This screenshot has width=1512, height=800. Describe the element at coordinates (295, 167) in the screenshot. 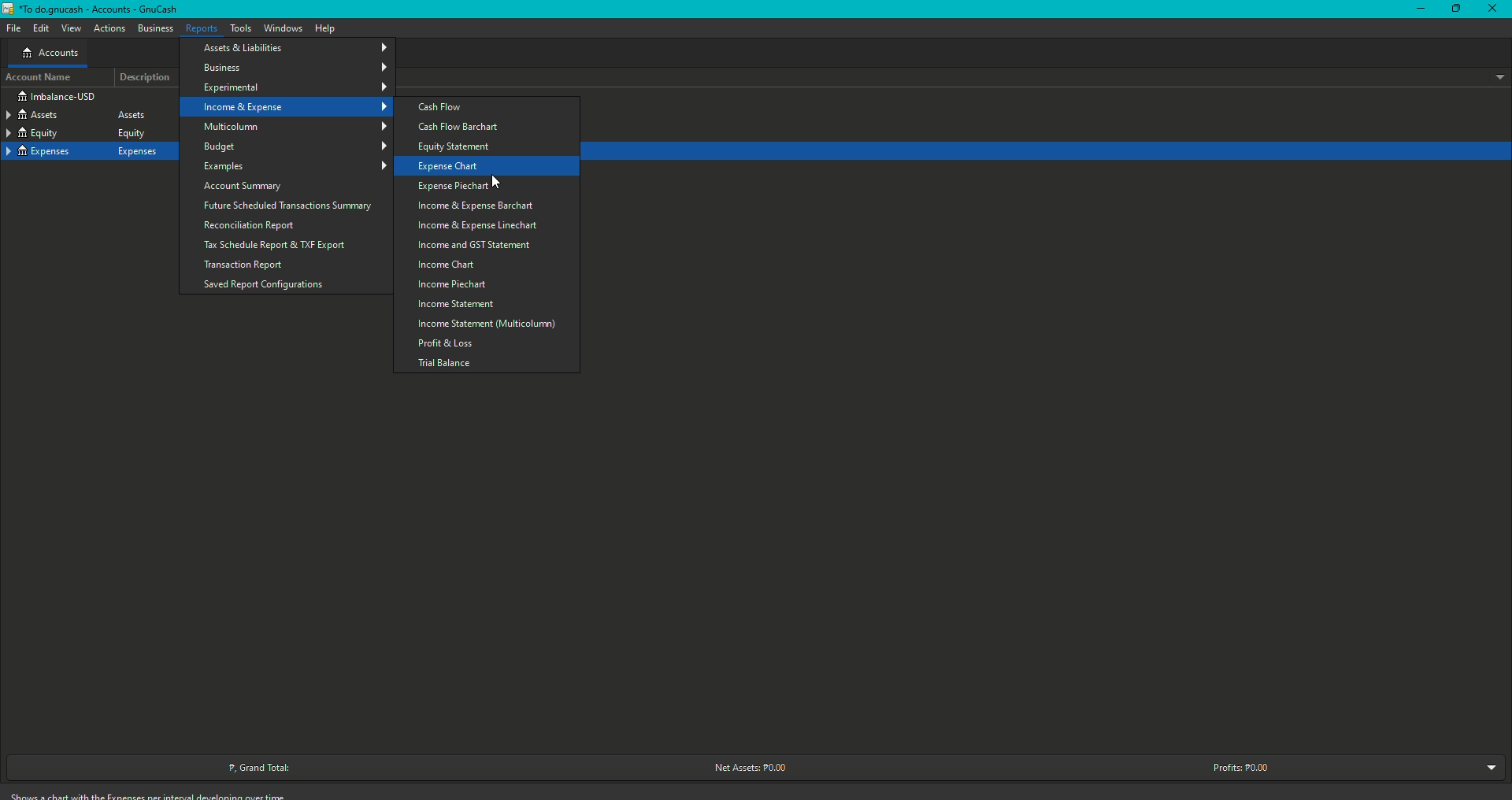

I see `Examples` at that location.